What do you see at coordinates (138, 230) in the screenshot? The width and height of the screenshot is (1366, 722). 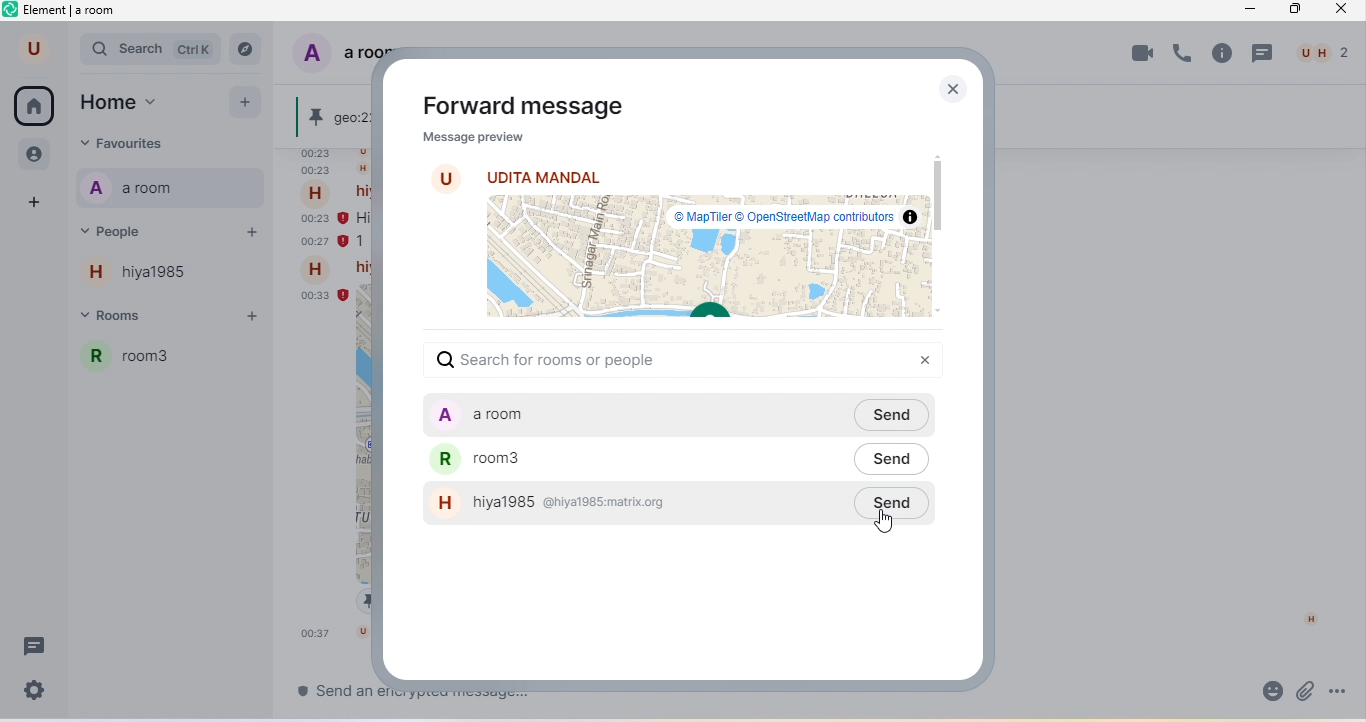 I see `people` at bounding box center [138, 230].